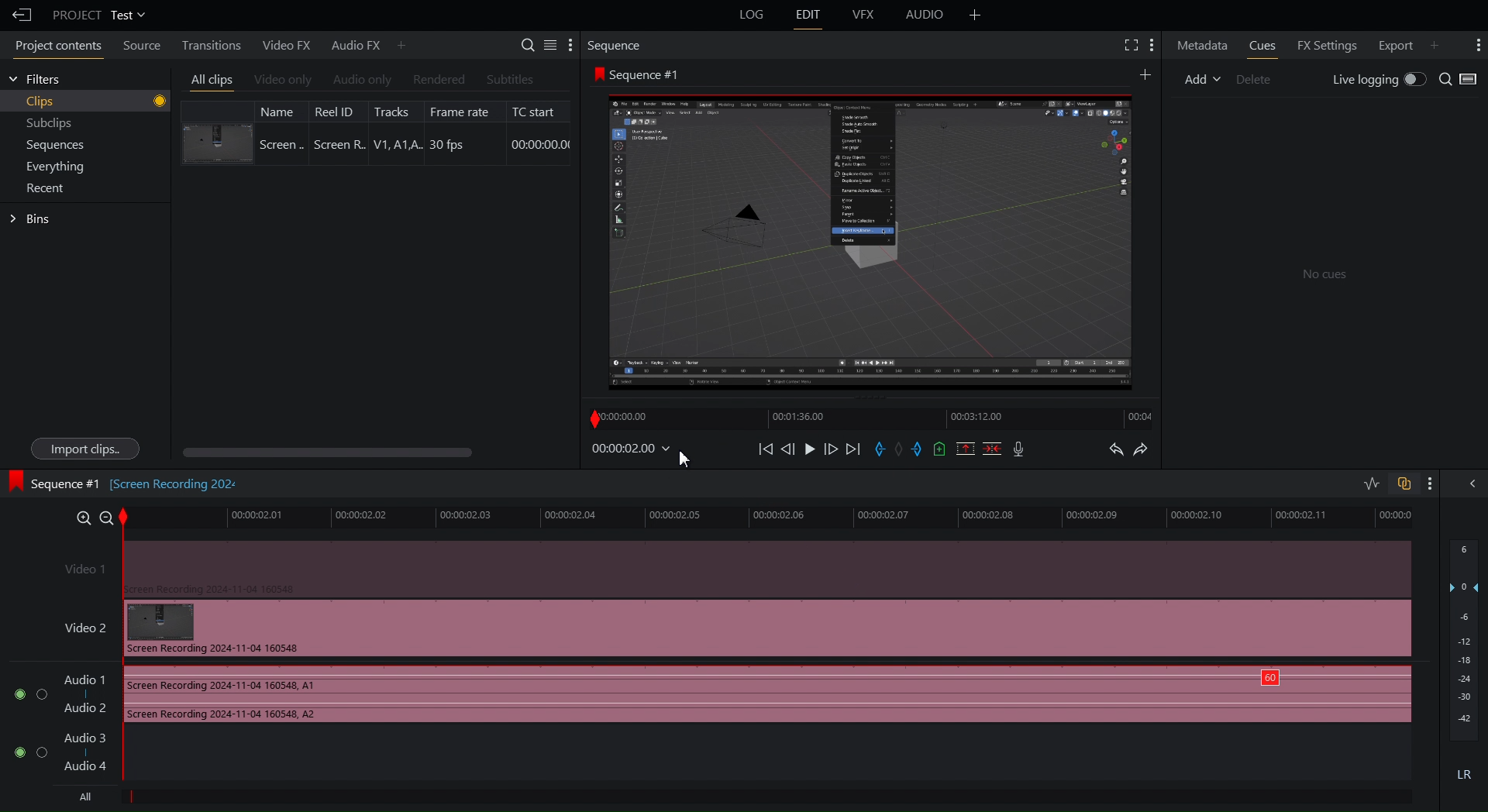  What do you see at coordinates (126, 481) in the screenshot?
I see `Sequence #1 [Screen Recording 202` at bounding box center [126, 481].